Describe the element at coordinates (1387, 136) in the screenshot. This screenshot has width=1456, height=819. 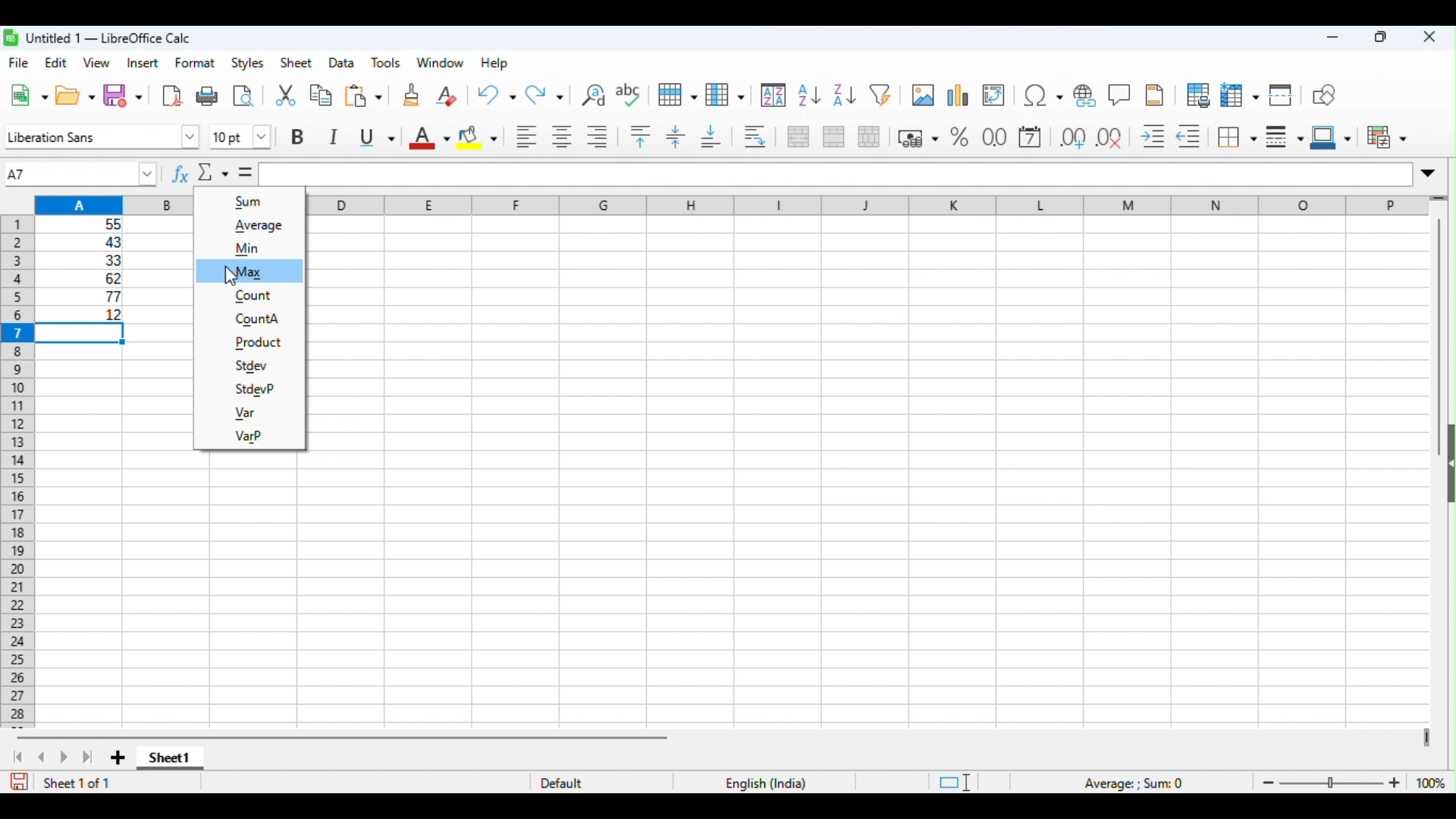
I see `conditional` at that location.